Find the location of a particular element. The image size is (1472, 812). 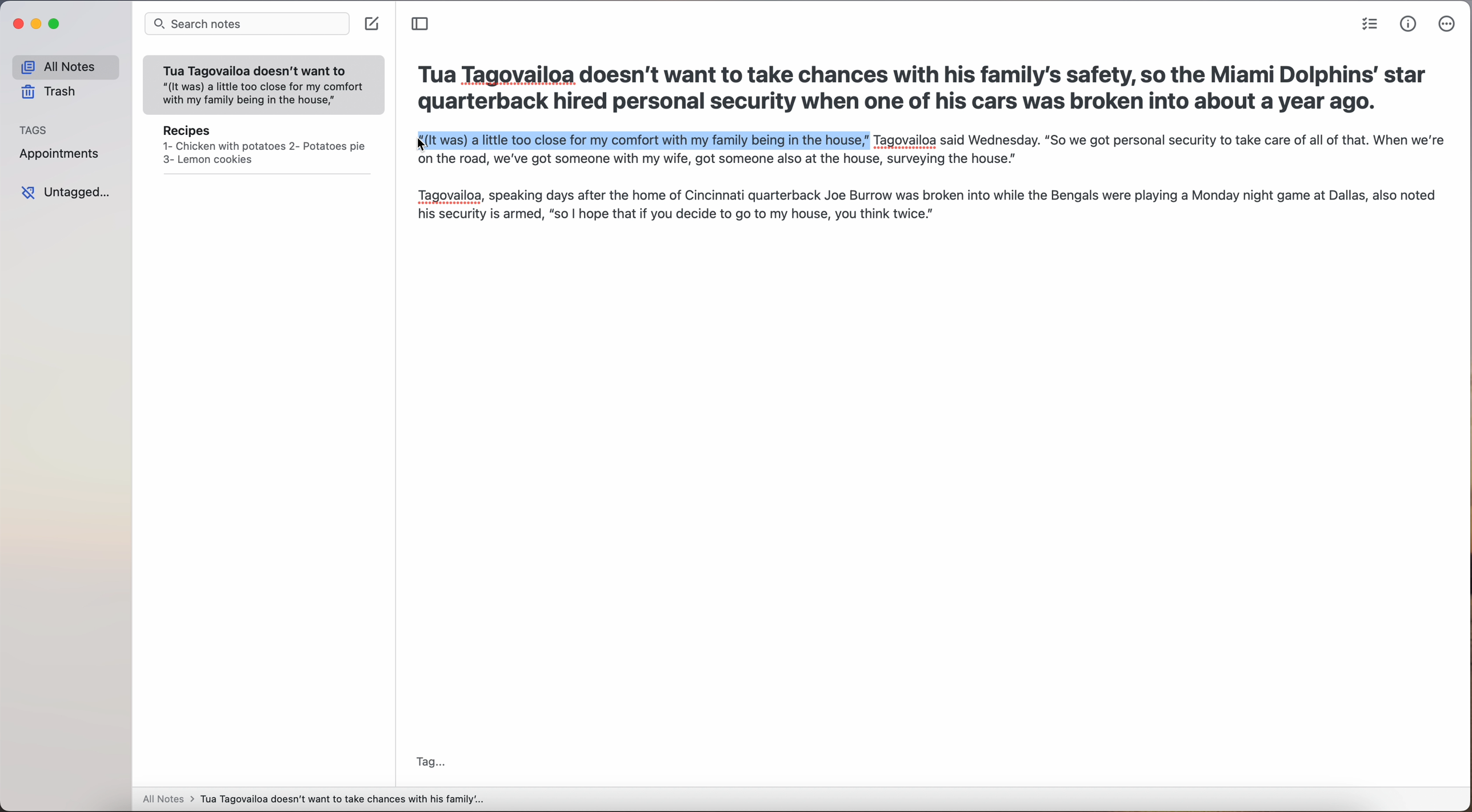

Selected Text is located at coordinates (641, 142).